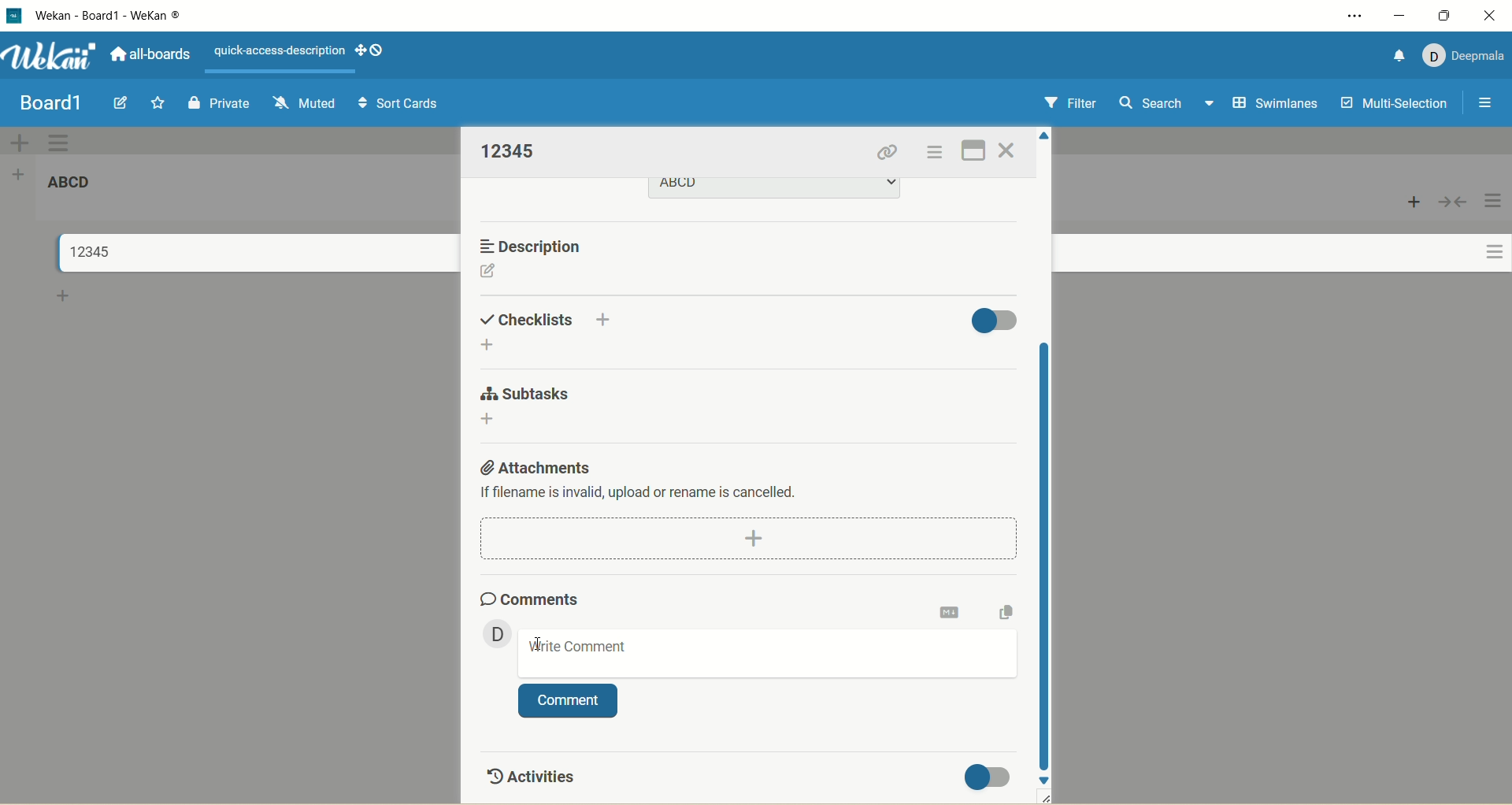 This screenshot has height=805, width=1512. What do you see at coordinates (1451, 202) in the screenshot?
I see `collapse` at bounding box center [1451, 202].